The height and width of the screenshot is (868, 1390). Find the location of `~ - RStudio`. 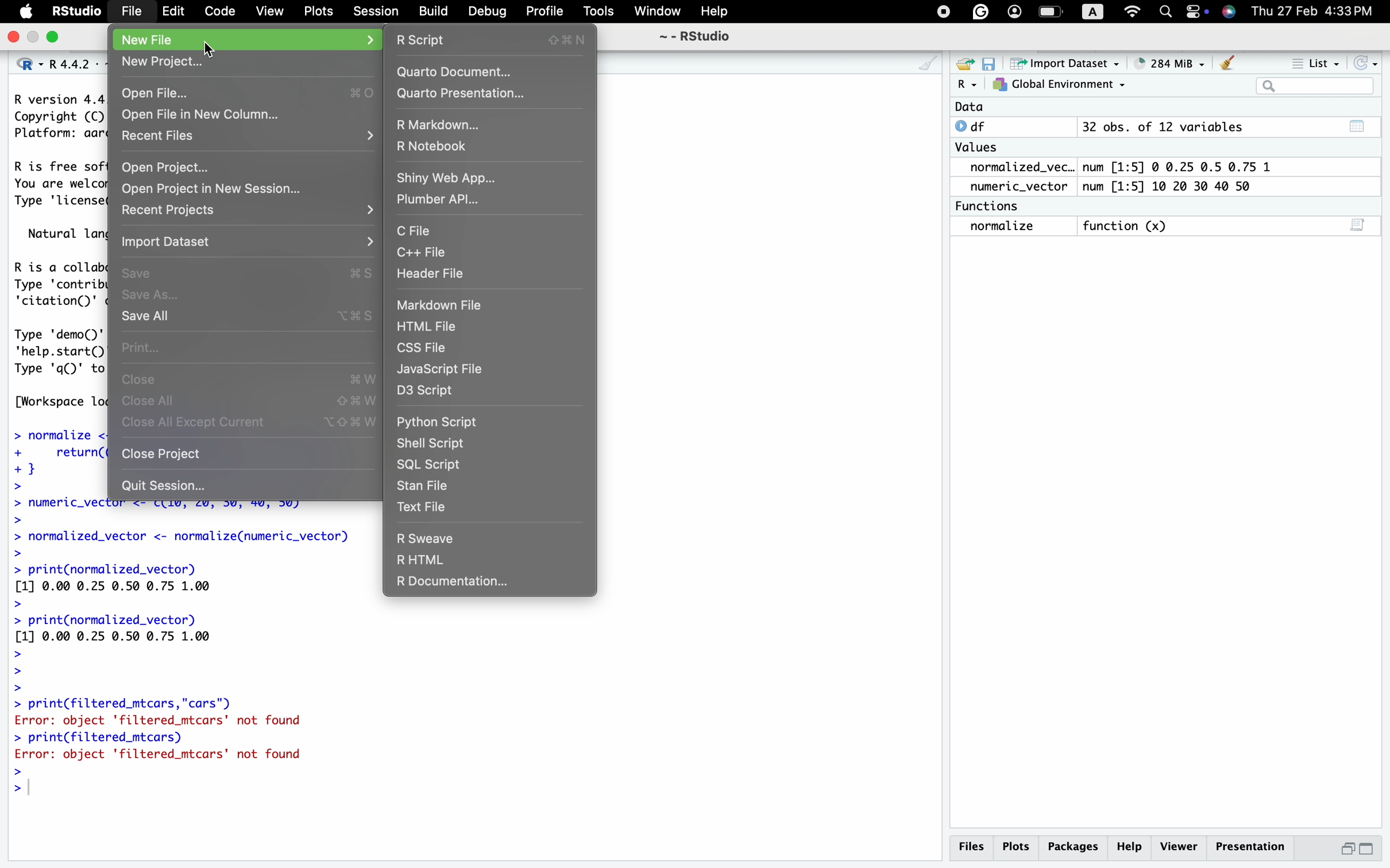

~ - RStudio is located at coordinates (700, 36).